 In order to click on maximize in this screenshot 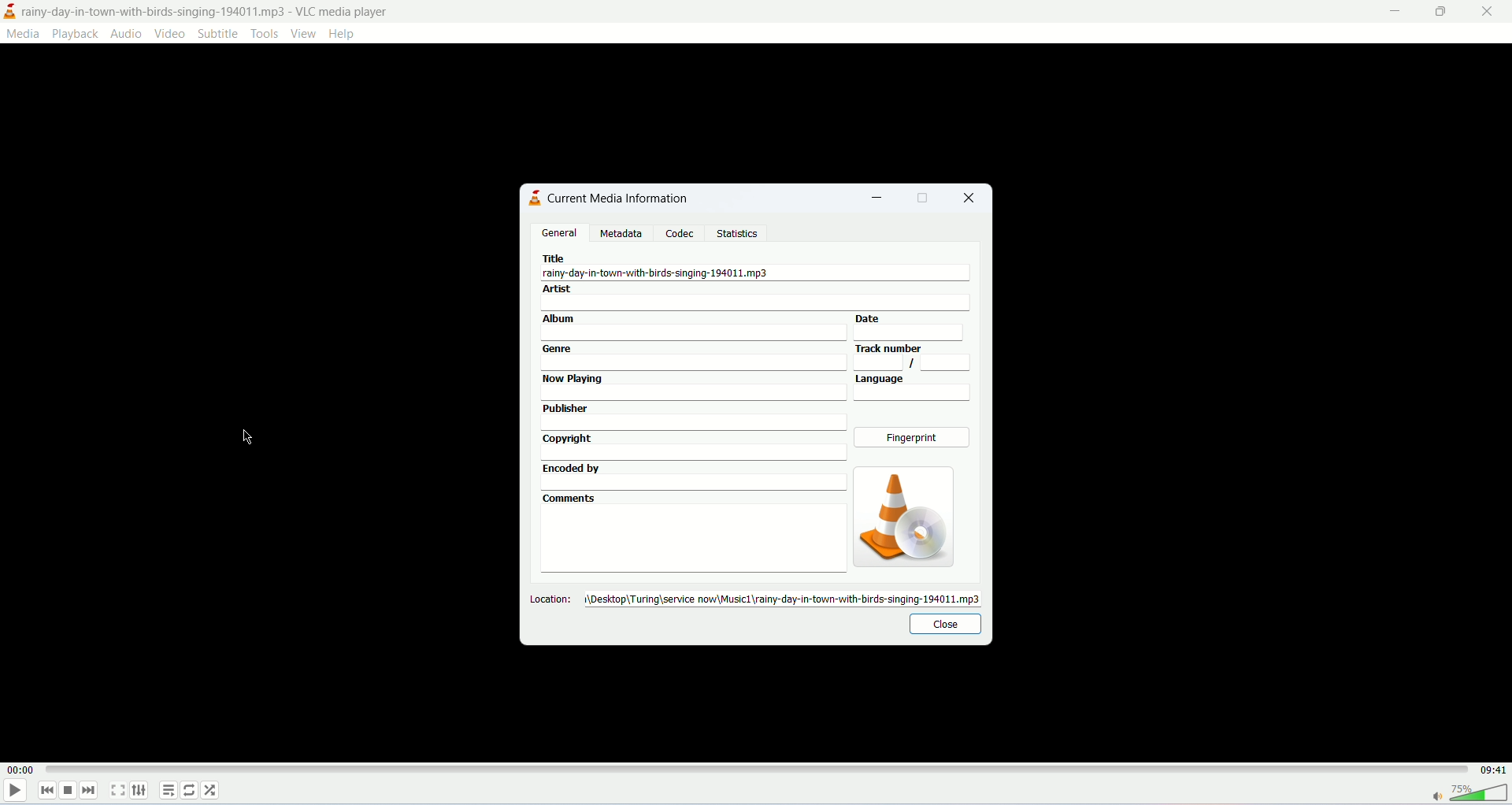, I will do `click(1442, 13)`.